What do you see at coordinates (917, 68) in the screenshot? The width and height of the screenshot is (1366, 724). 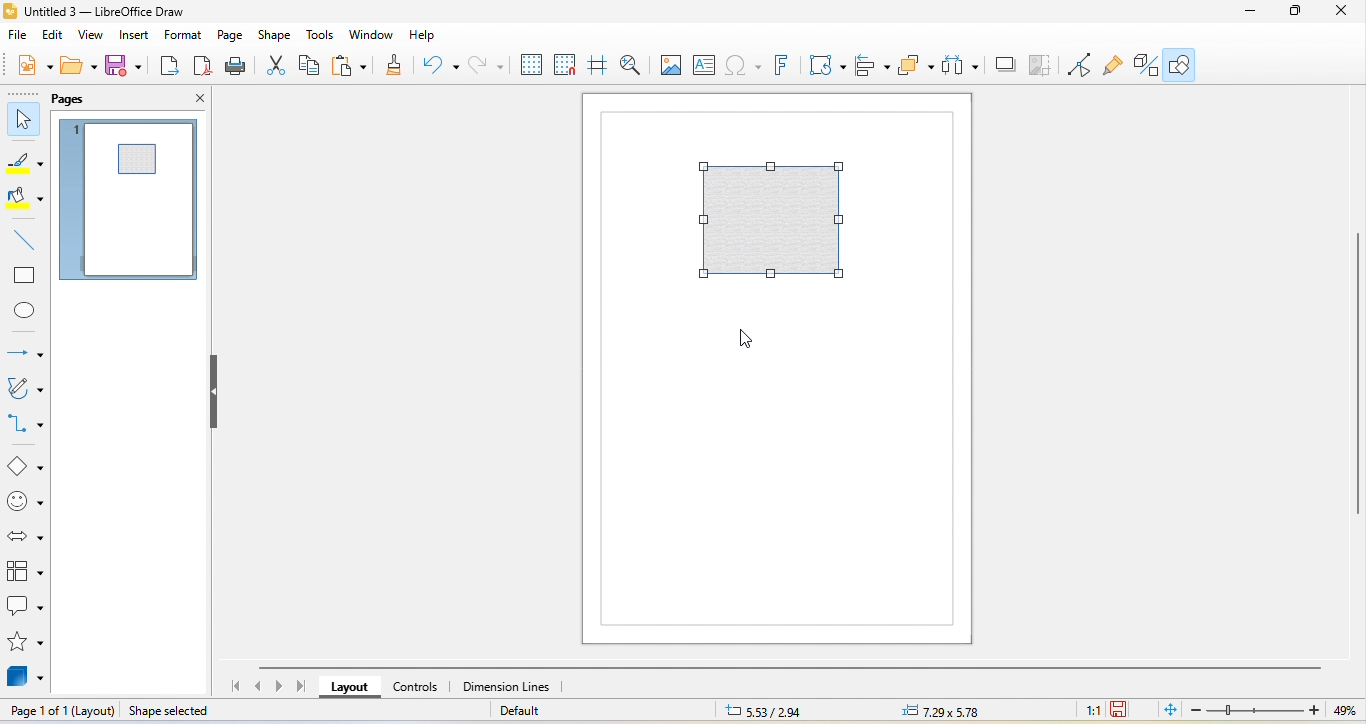 I see `arrange` at bounding box center [917, 68].